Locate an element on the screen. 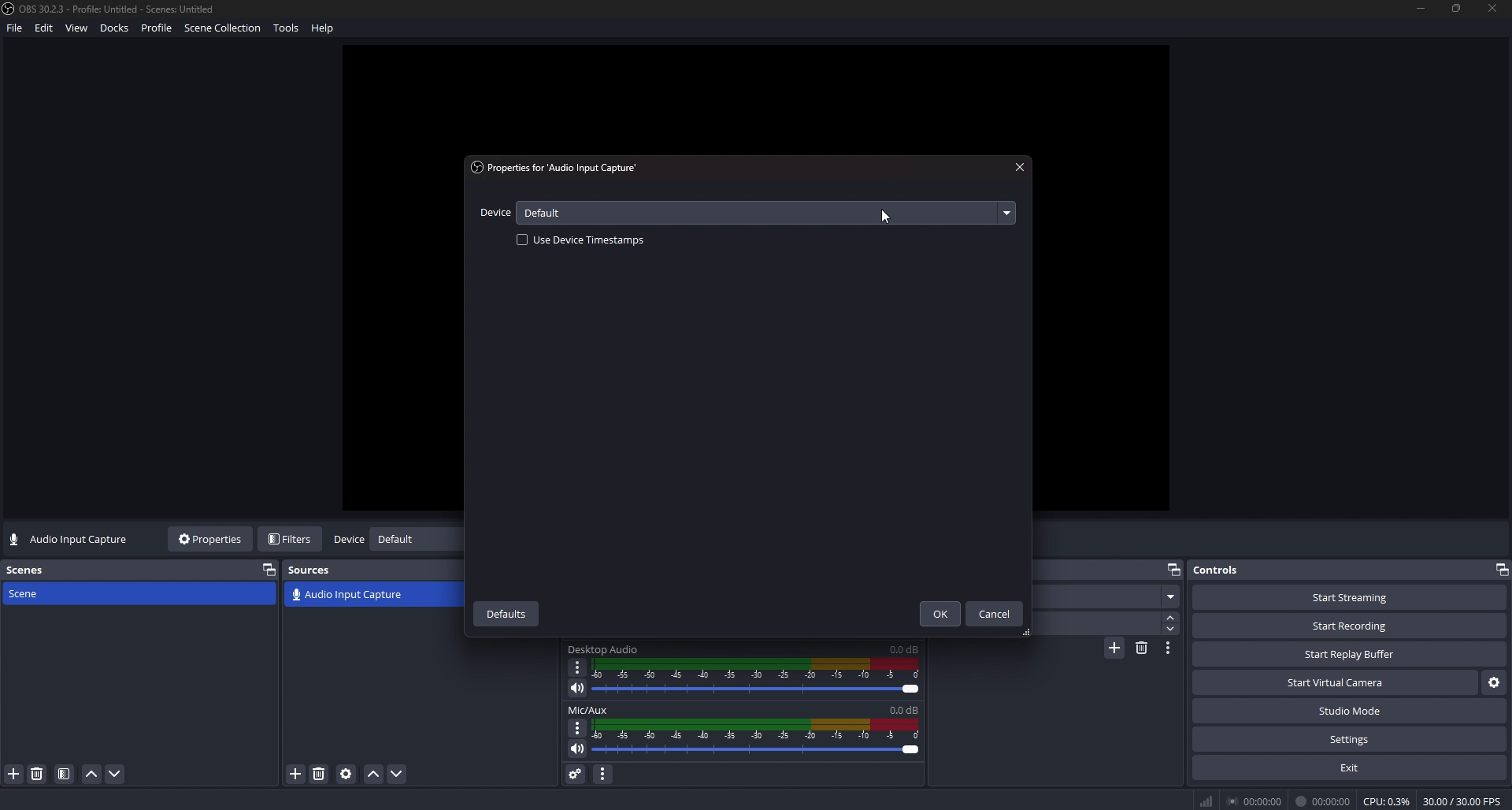  start replay buffer is located at coordinates (1351, 655).